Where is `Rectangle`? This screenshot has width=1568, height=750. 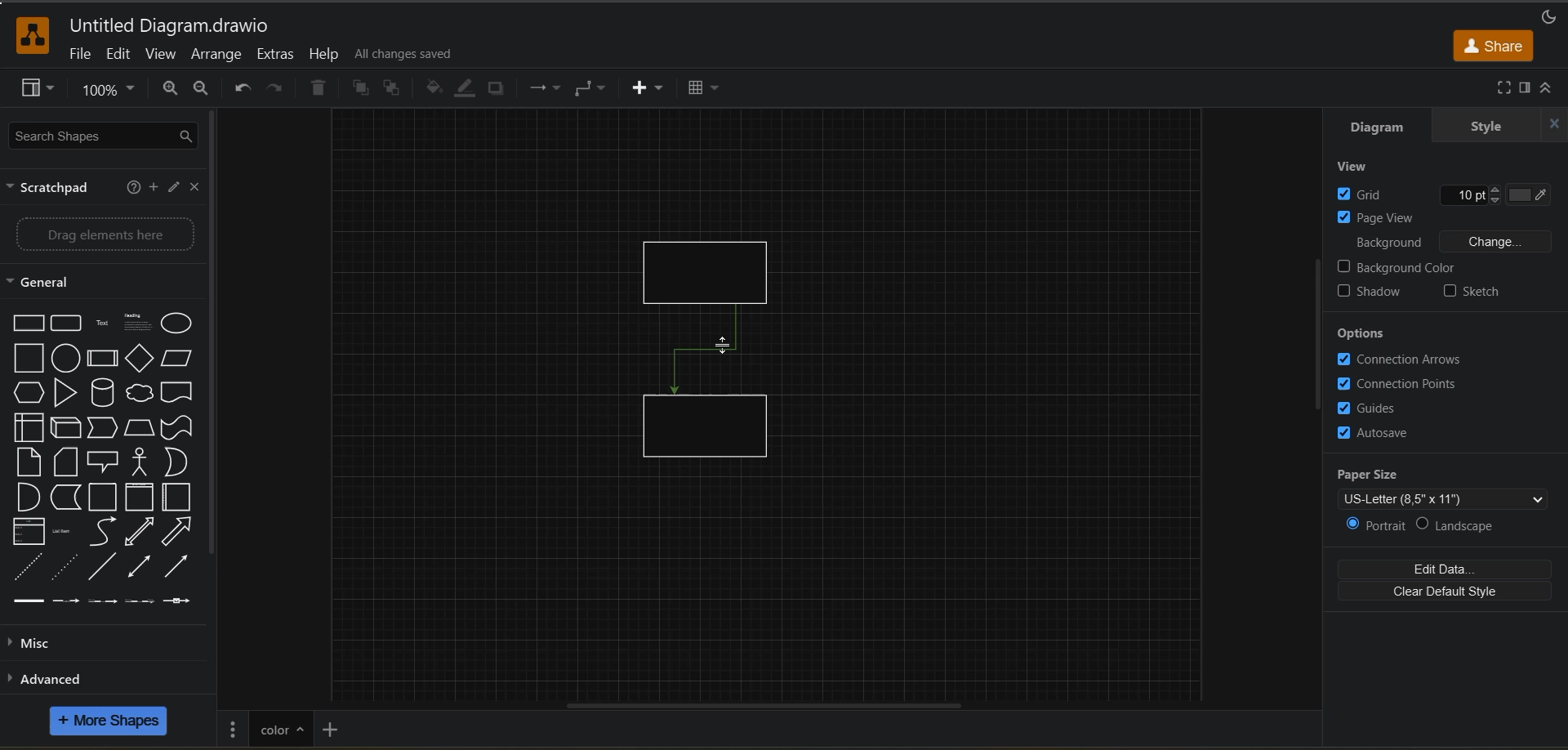 Rectangle is located at coordinates (25, 323).